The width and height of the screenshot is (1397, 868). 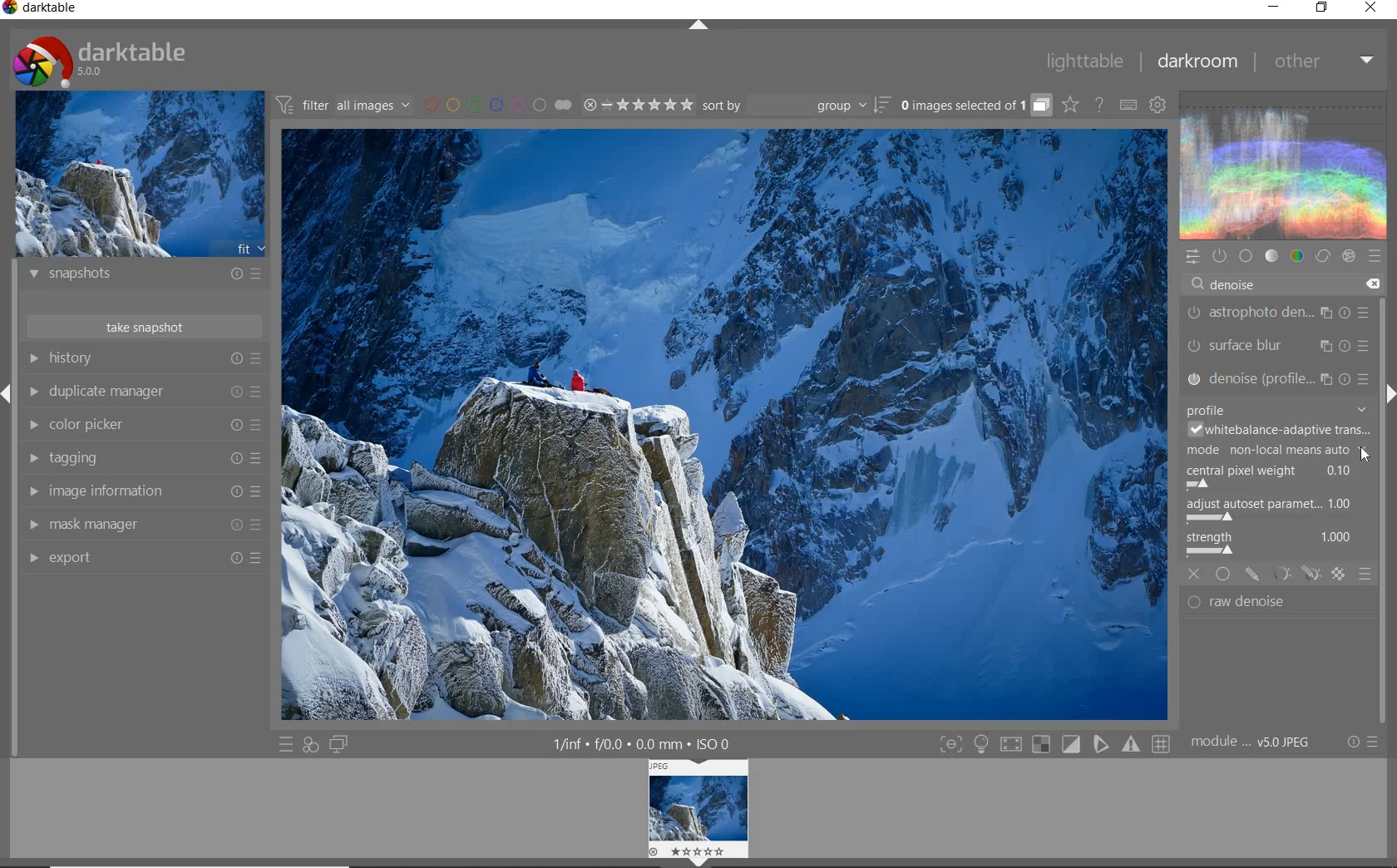 What do you see at coordinates (146, 276) in the screenshot?
I see `snapshots` at bounding box center [146, 276].